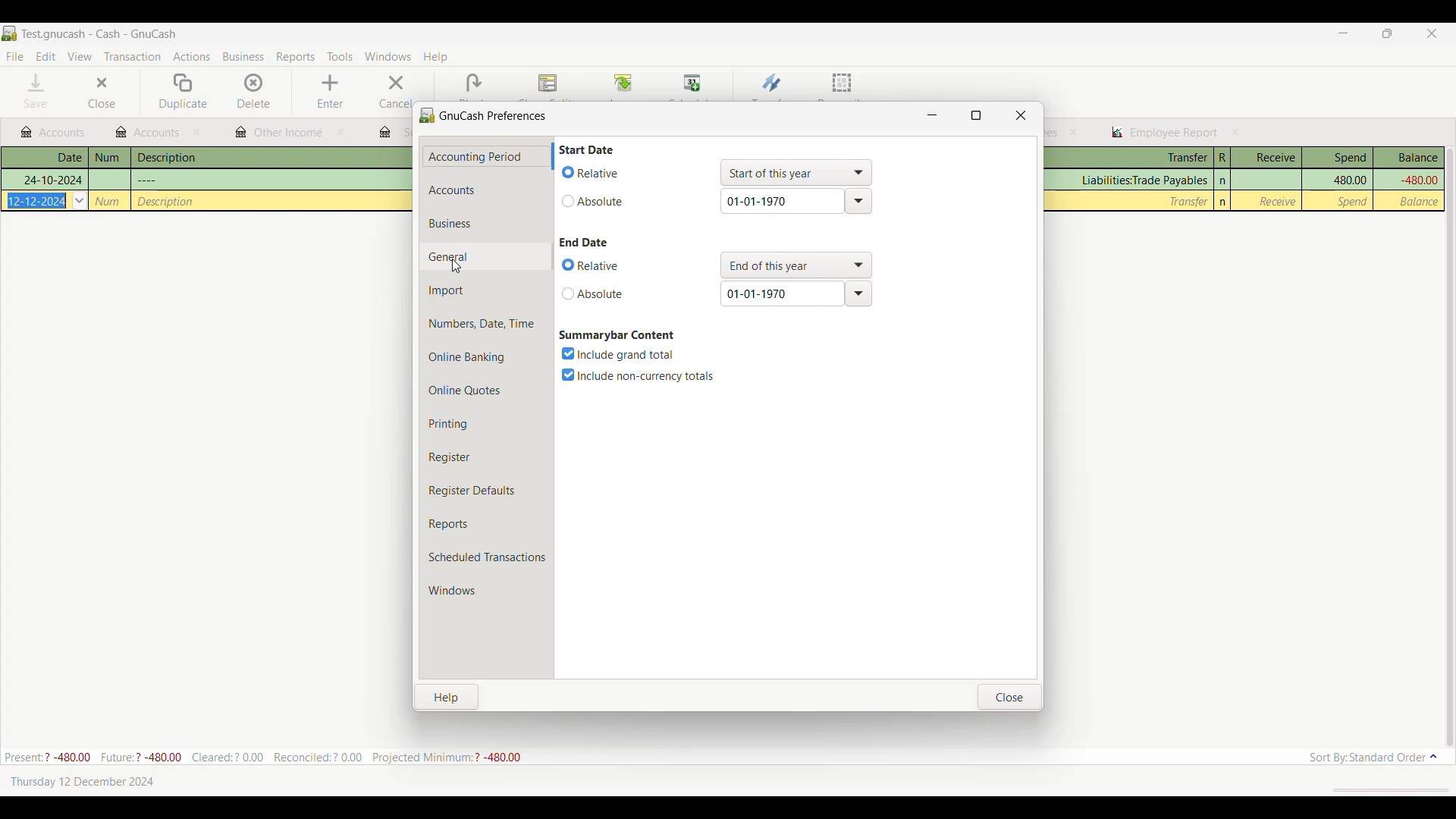  What do you see at coordinates (9, 33) in the screenshot?
I see `Software logo` at bounding box center [9, 33].